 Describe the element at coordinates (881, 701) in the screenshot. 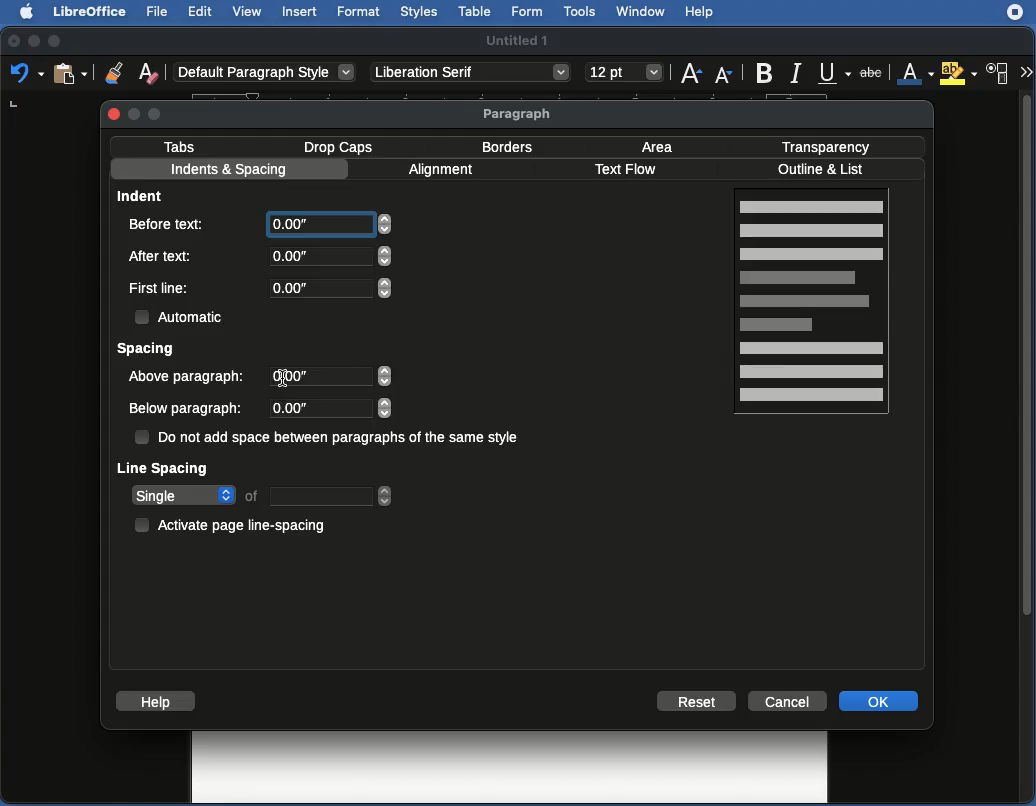

I see `OK` at that location.